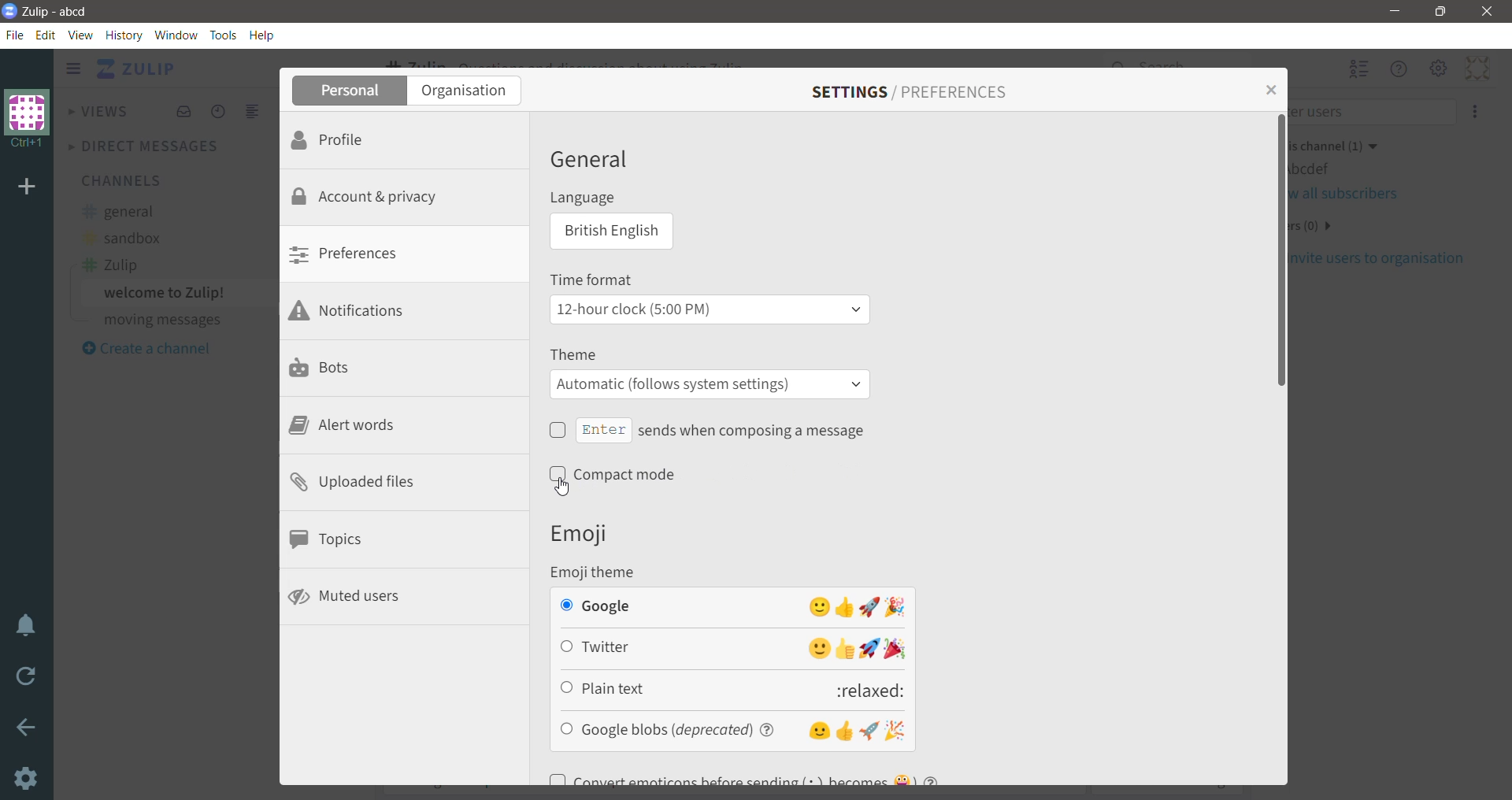  What do you see at coordinates (609, 233) in the screenshot?
I see `British English` at bounding box center [609, 233].